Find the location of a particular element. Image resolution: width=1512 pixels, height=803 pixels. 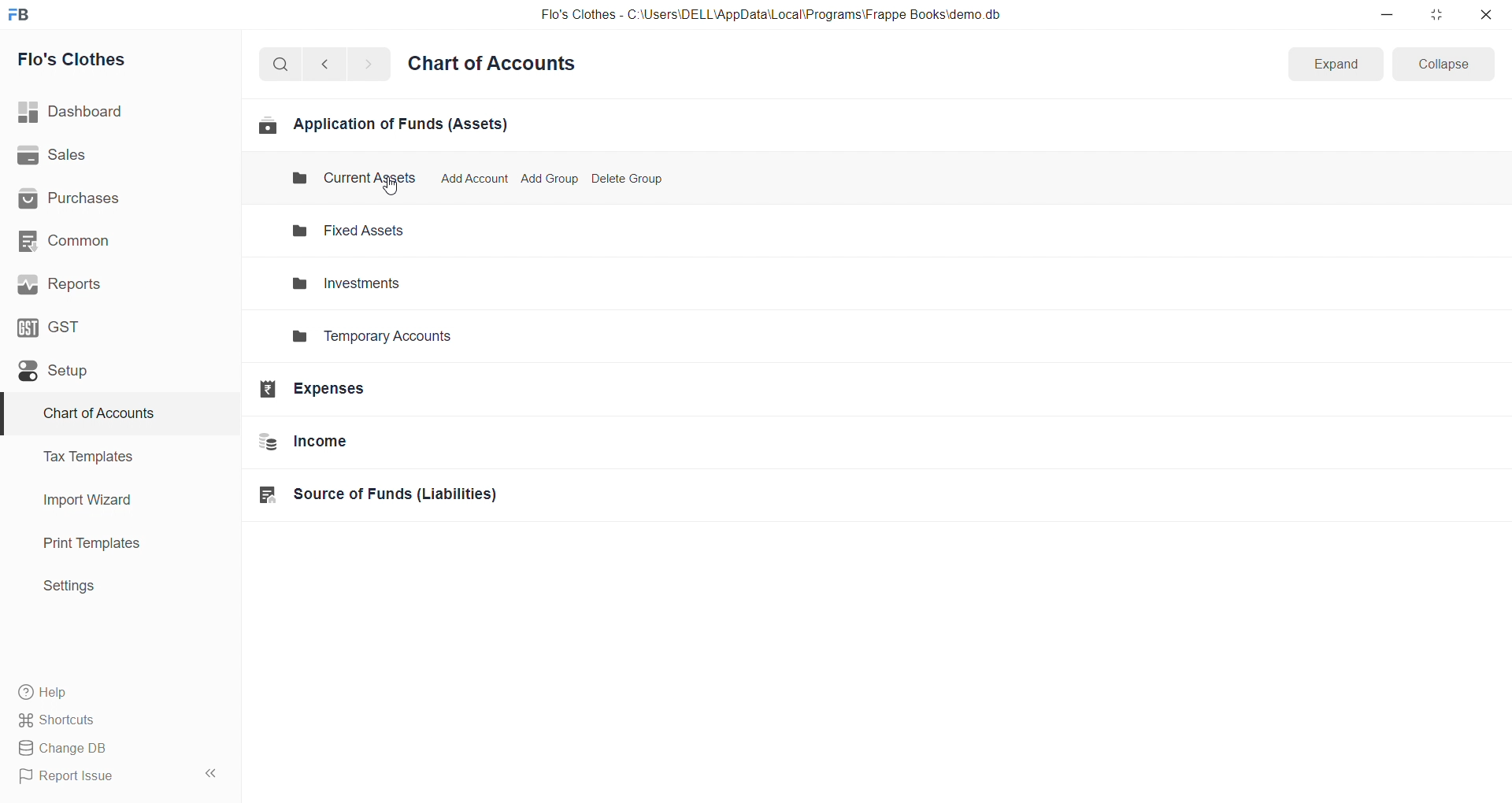

Report Issue is located at coordinates (98, 776).